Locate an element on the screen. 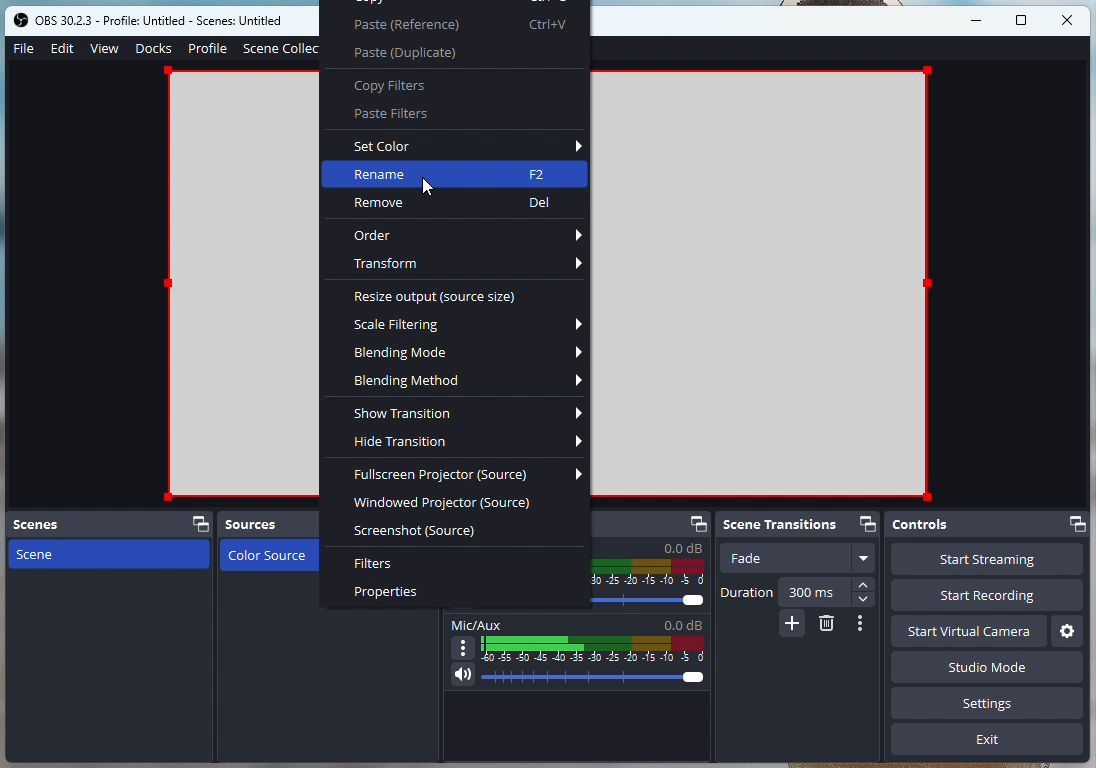 This screenshot has width=1096, height=768. Resize output (source size) is located at coordinates (444, 296).